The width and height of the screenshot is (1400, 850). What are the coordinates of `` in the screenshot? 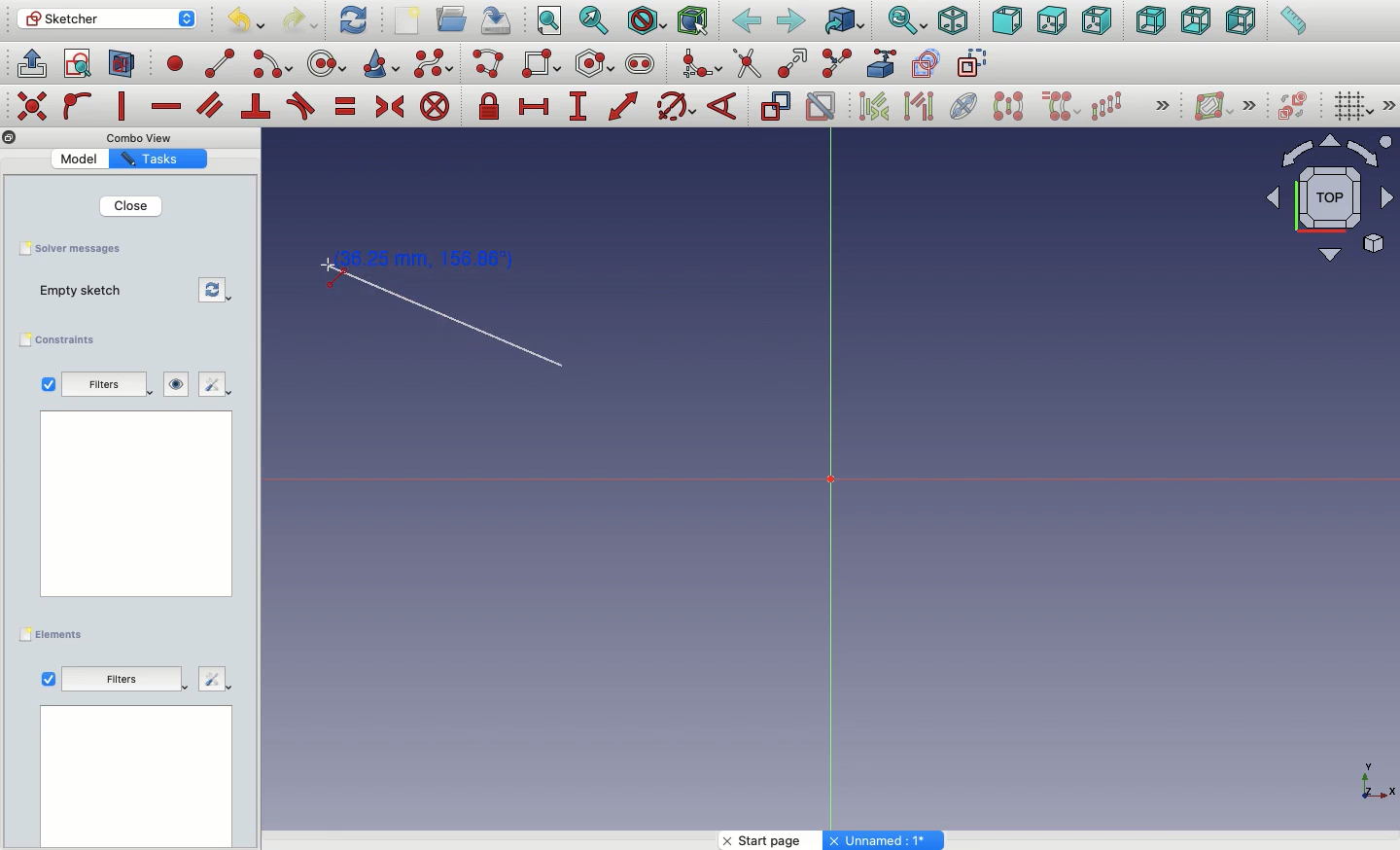 It's located at (30, 104).